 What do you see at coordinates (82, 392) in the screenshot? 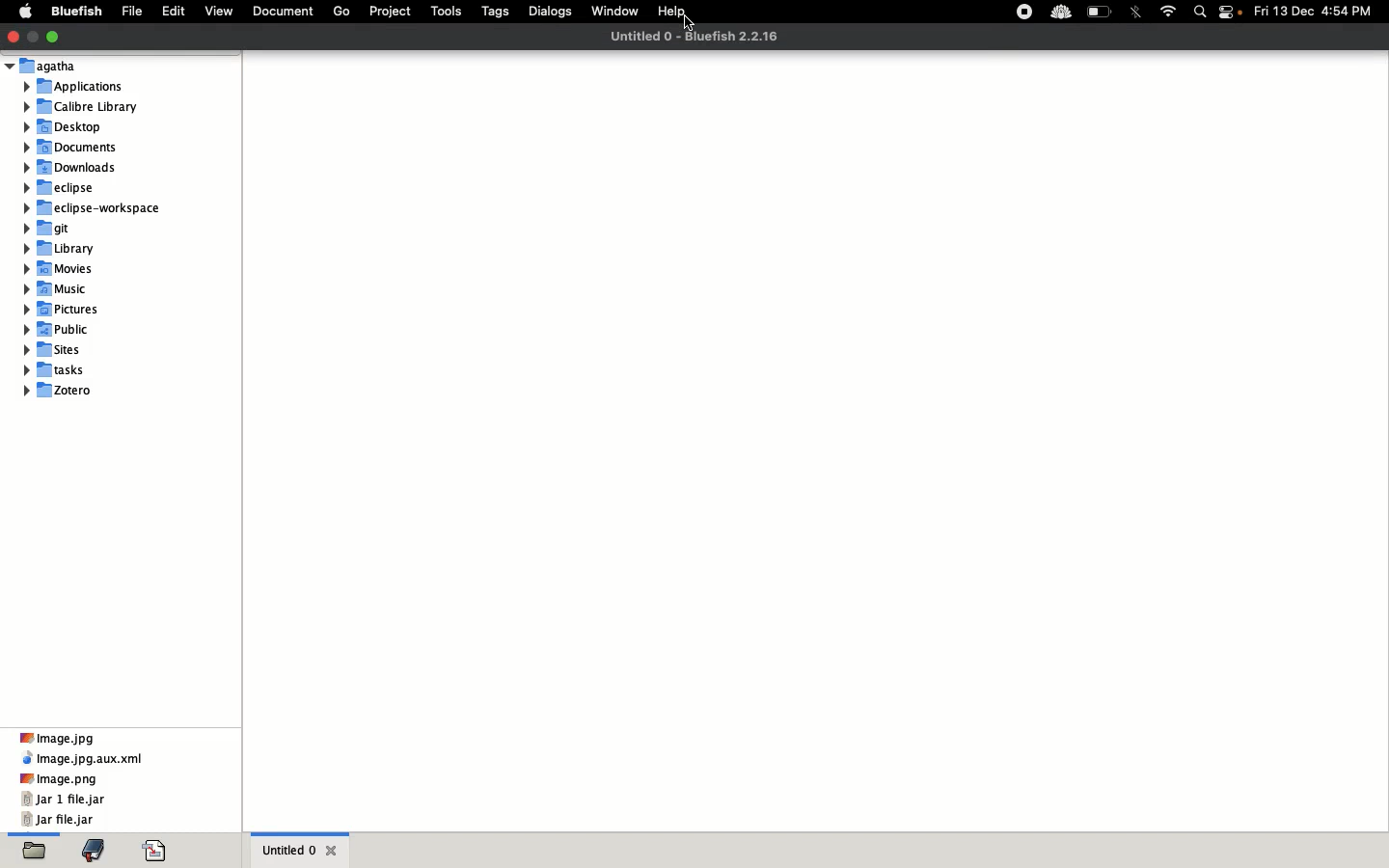
I see `zotero` at bounding box center [82, 392].